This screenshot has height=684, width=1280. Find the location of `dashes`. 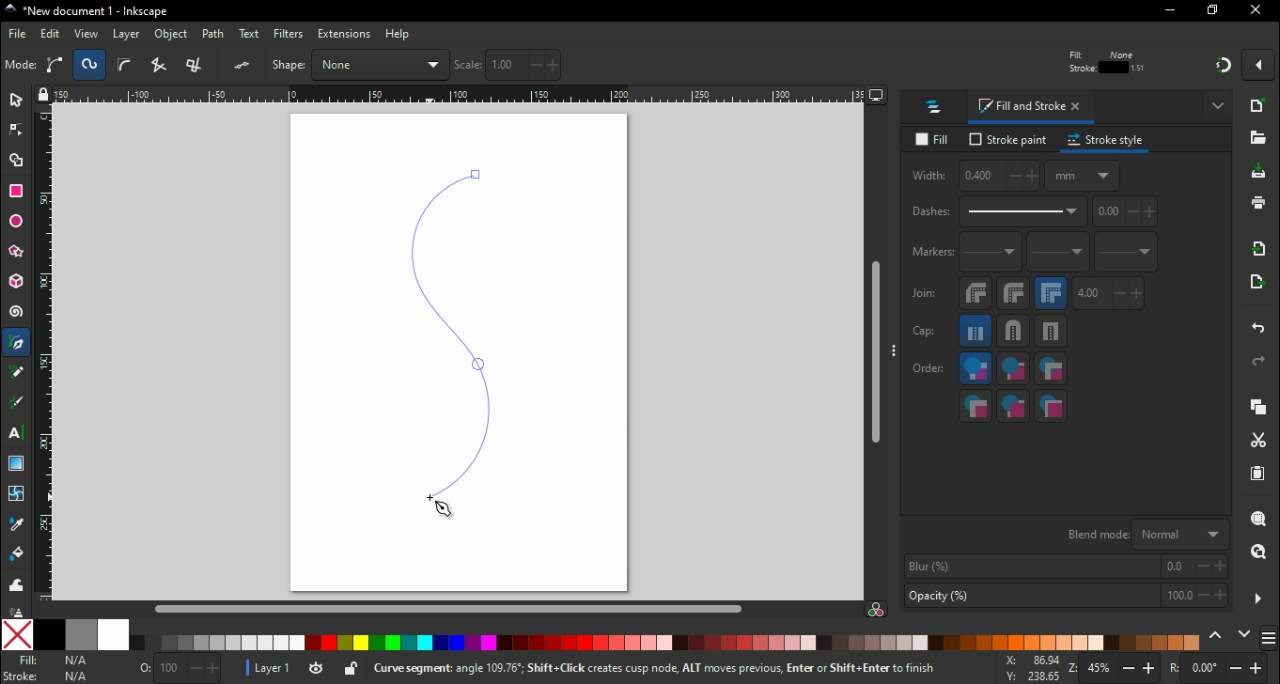

dashes is located at coordinates (999, 214).